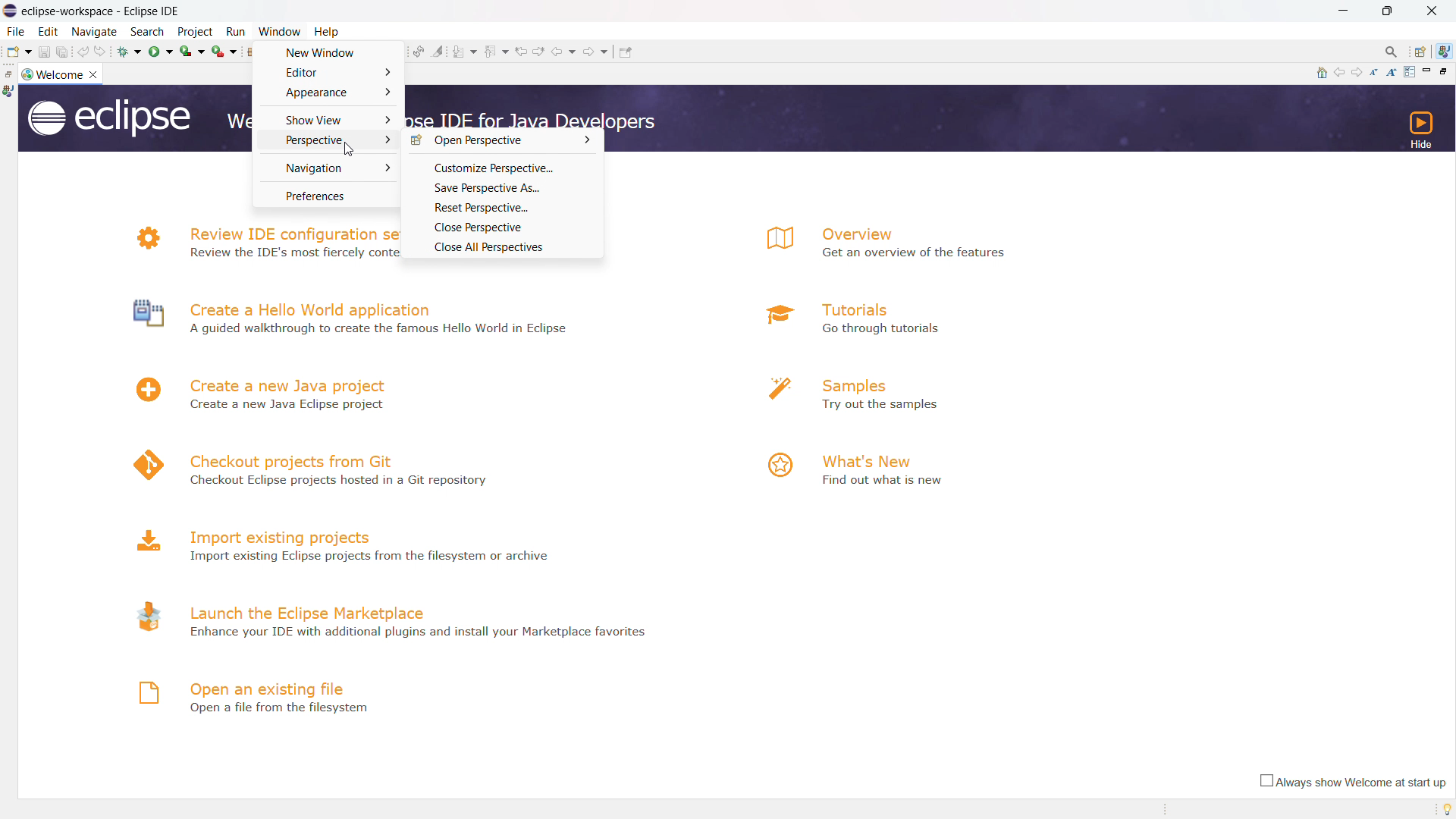 The width and height of the screenshot is (1456, 819). What do you see at coordinates (43, 52) in the screenshot?
I see `save` at bounding box center [43, 52].